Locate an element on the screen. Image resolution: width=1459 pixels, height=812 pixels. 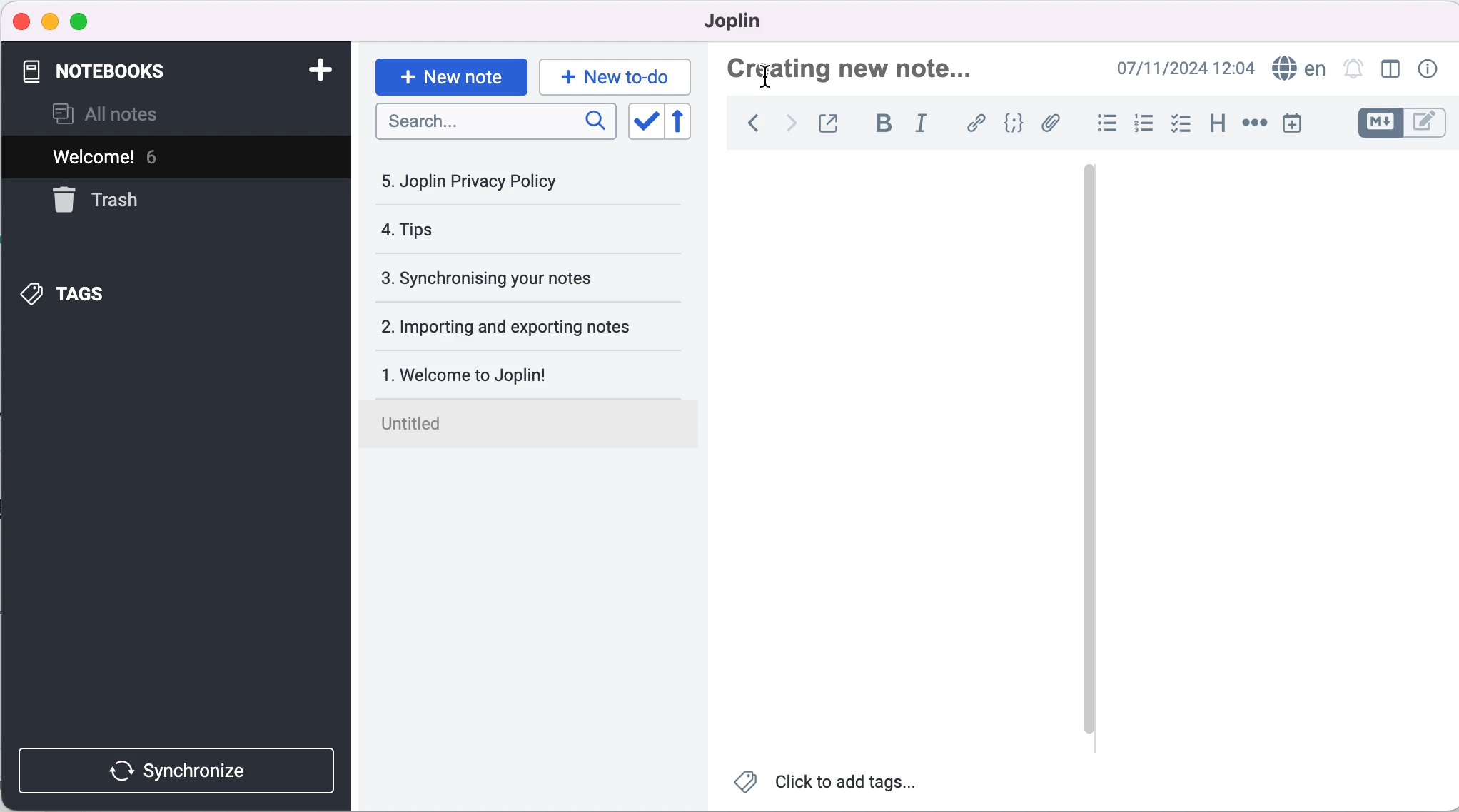
toggle editors is located at coordinates (1397, 123).